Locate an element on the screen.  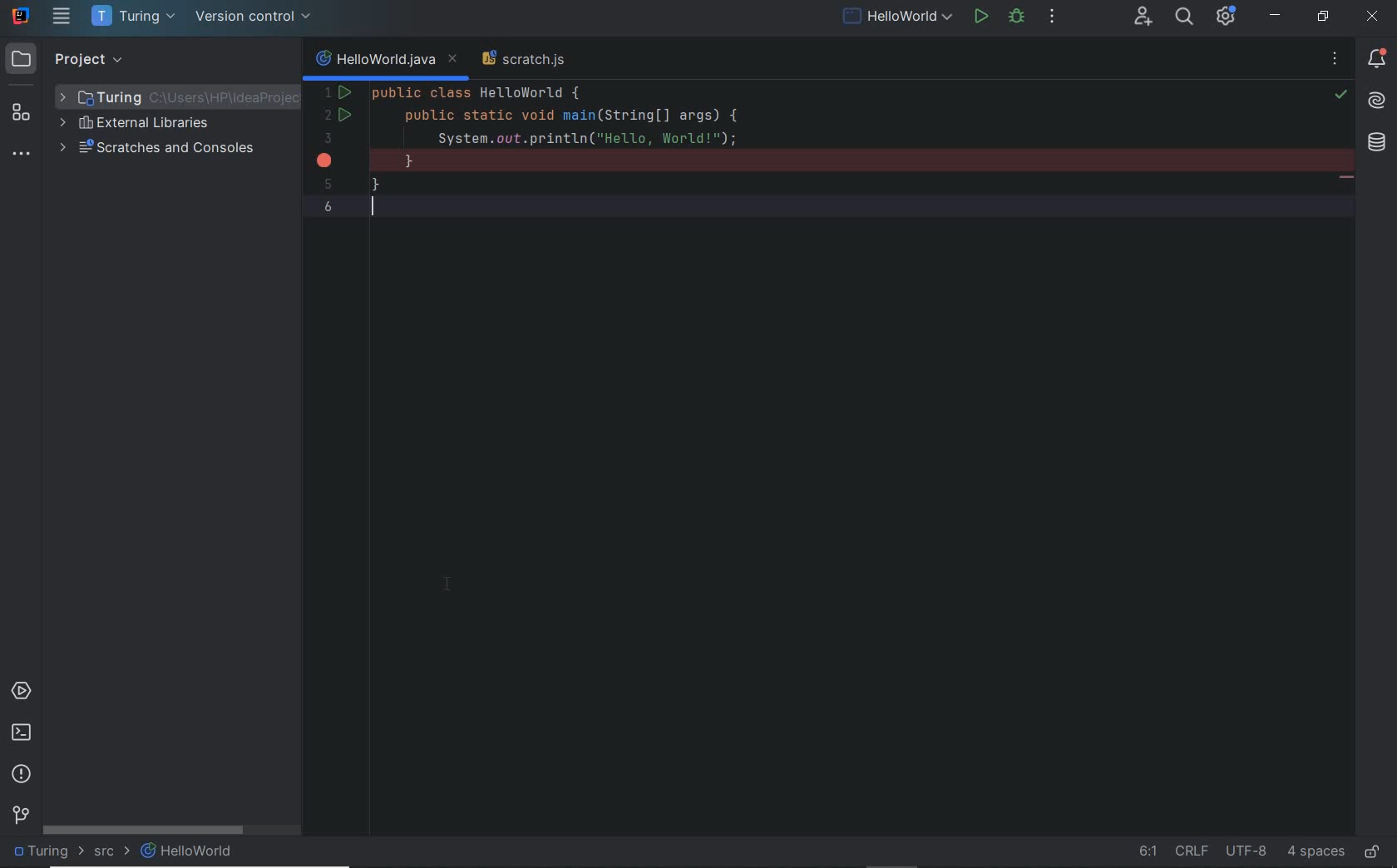
close is located at coordinates (1371, 16).